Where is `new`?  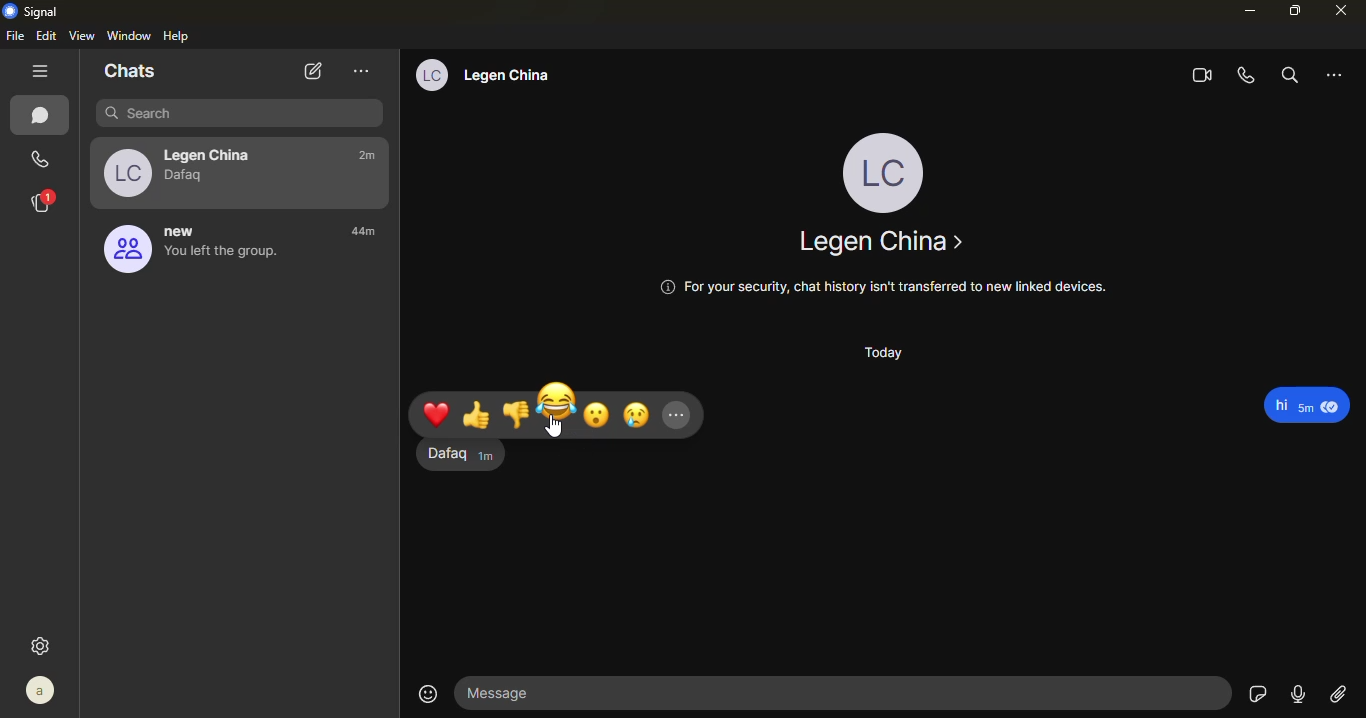
new is located at coordinates (185, 231).